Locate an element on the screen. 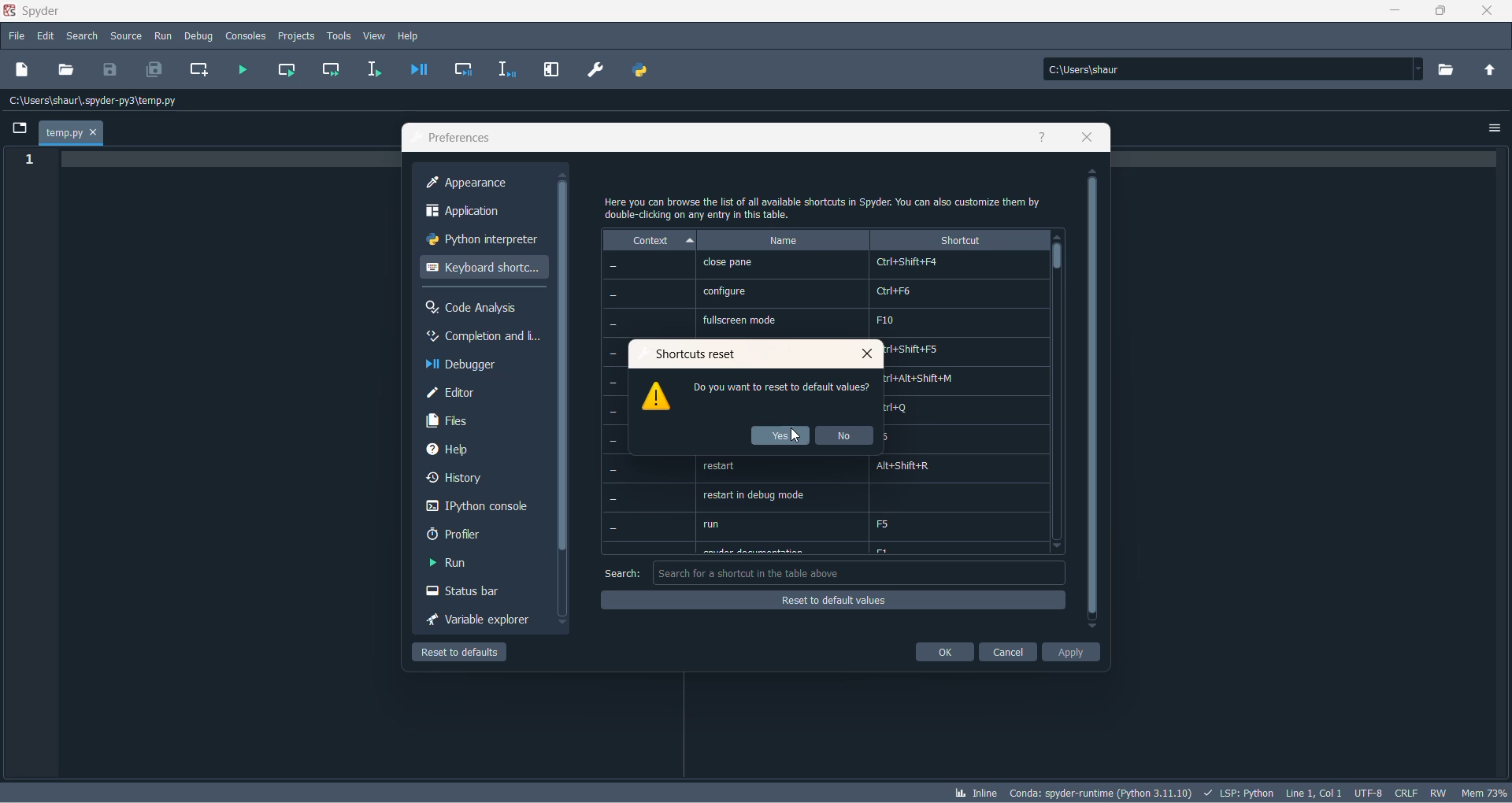 This screenshot has width=1512, height=803. reset of default is located at coordinates (833, 600).